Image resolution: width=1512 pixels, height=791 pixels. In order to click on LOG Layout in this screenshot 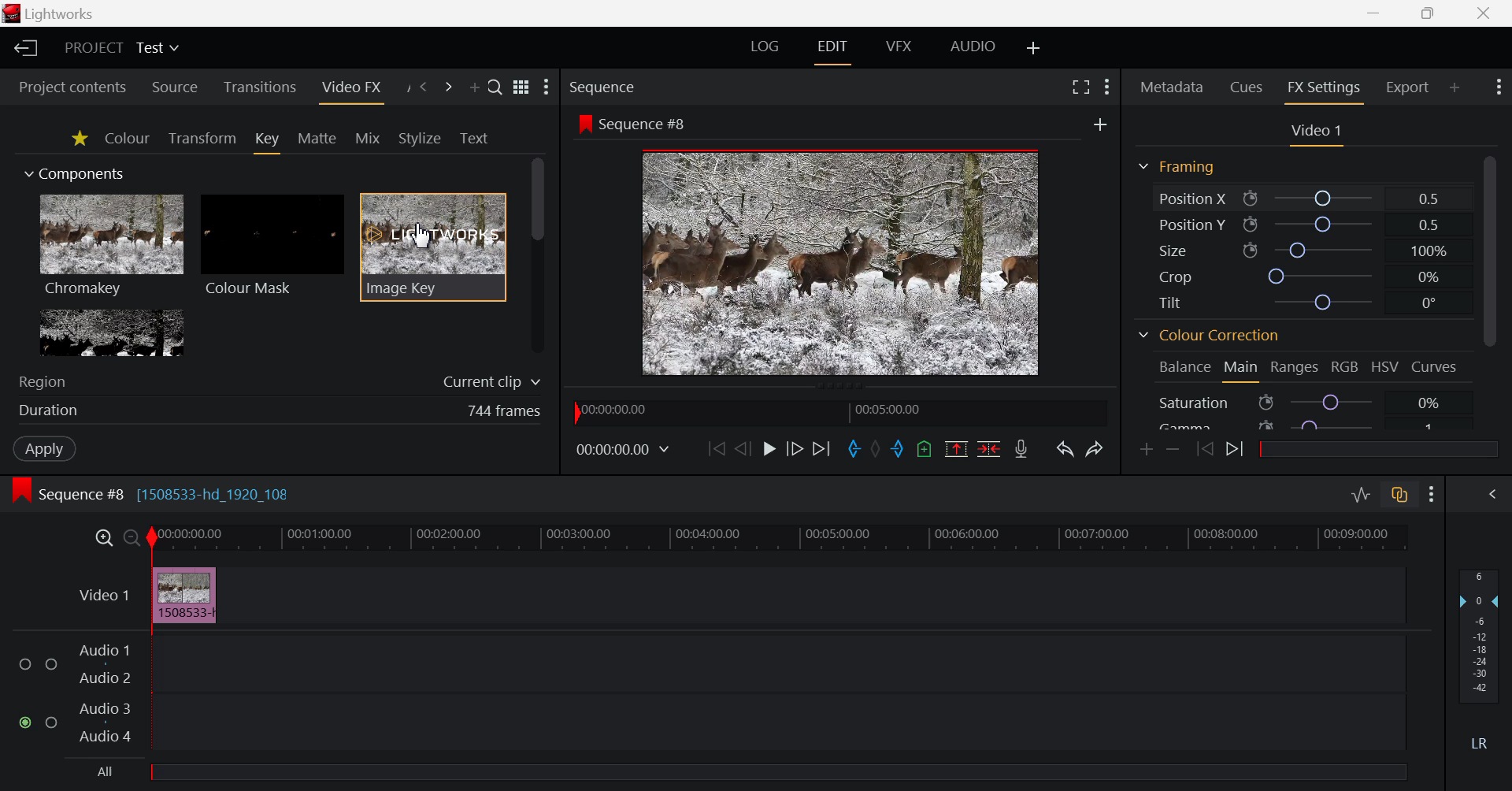, I will do `click(769, 47)`.